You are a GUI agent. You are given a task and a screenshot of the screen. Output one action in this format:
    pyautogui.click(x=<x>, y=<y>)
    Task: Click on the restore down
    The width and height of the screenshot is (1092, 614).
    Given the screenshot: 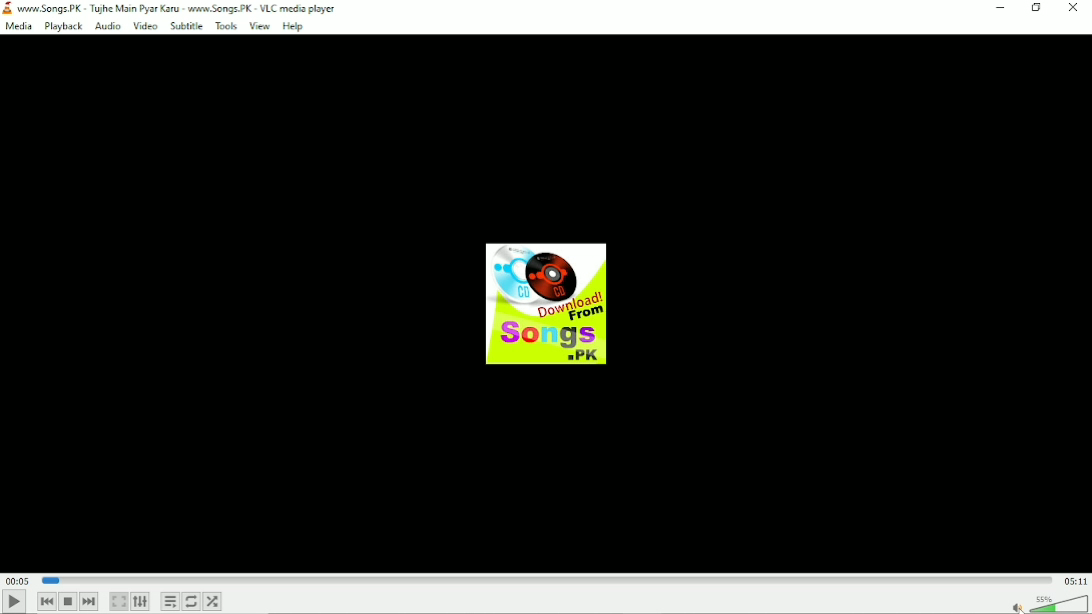 What is the action you would take?
    pyautogui.click(x=1038, y=9)
    